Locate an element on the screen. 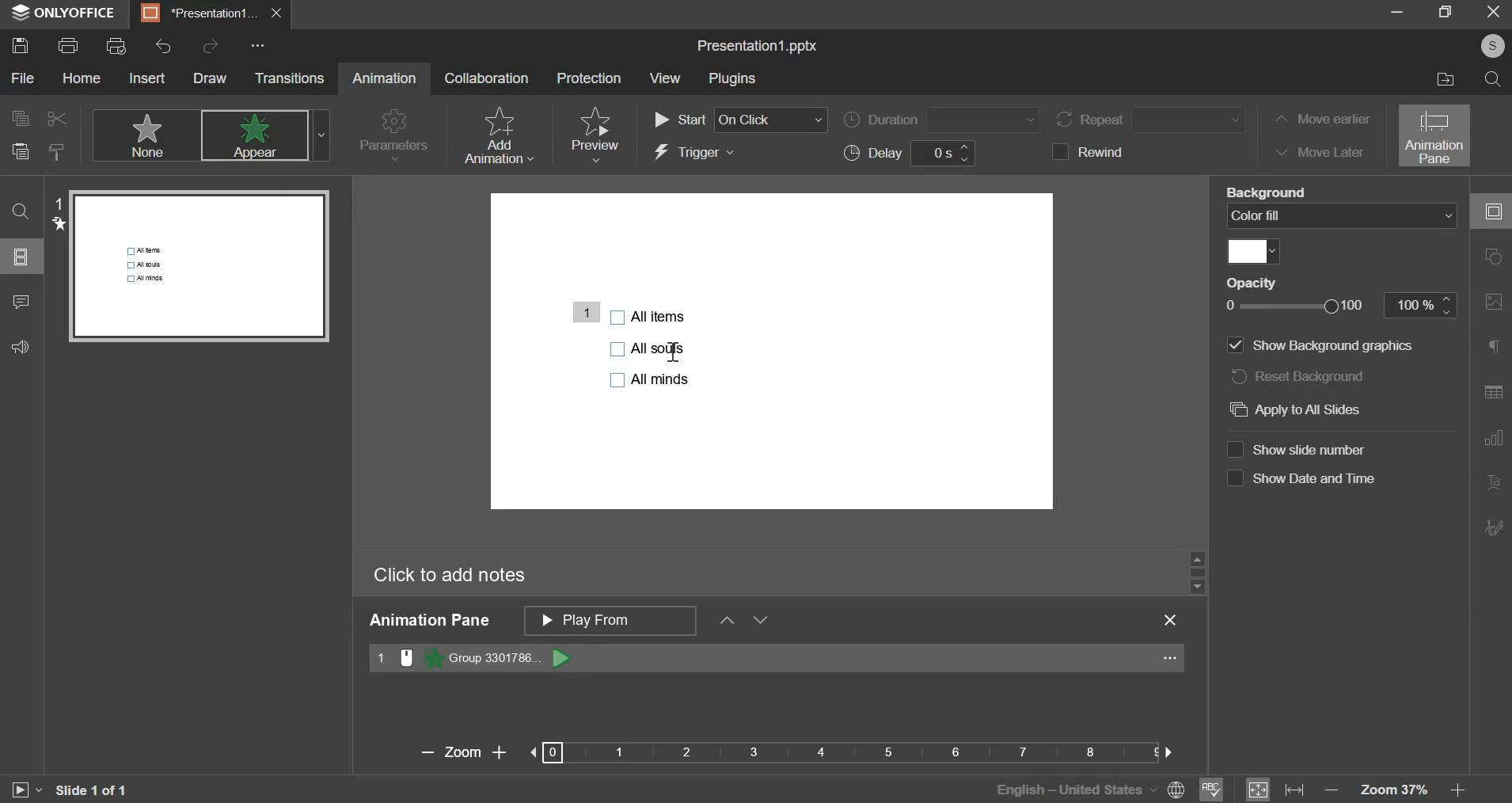 The width and height of the screenshot is (1512, 803). exit is located at coordinates (275, 13).